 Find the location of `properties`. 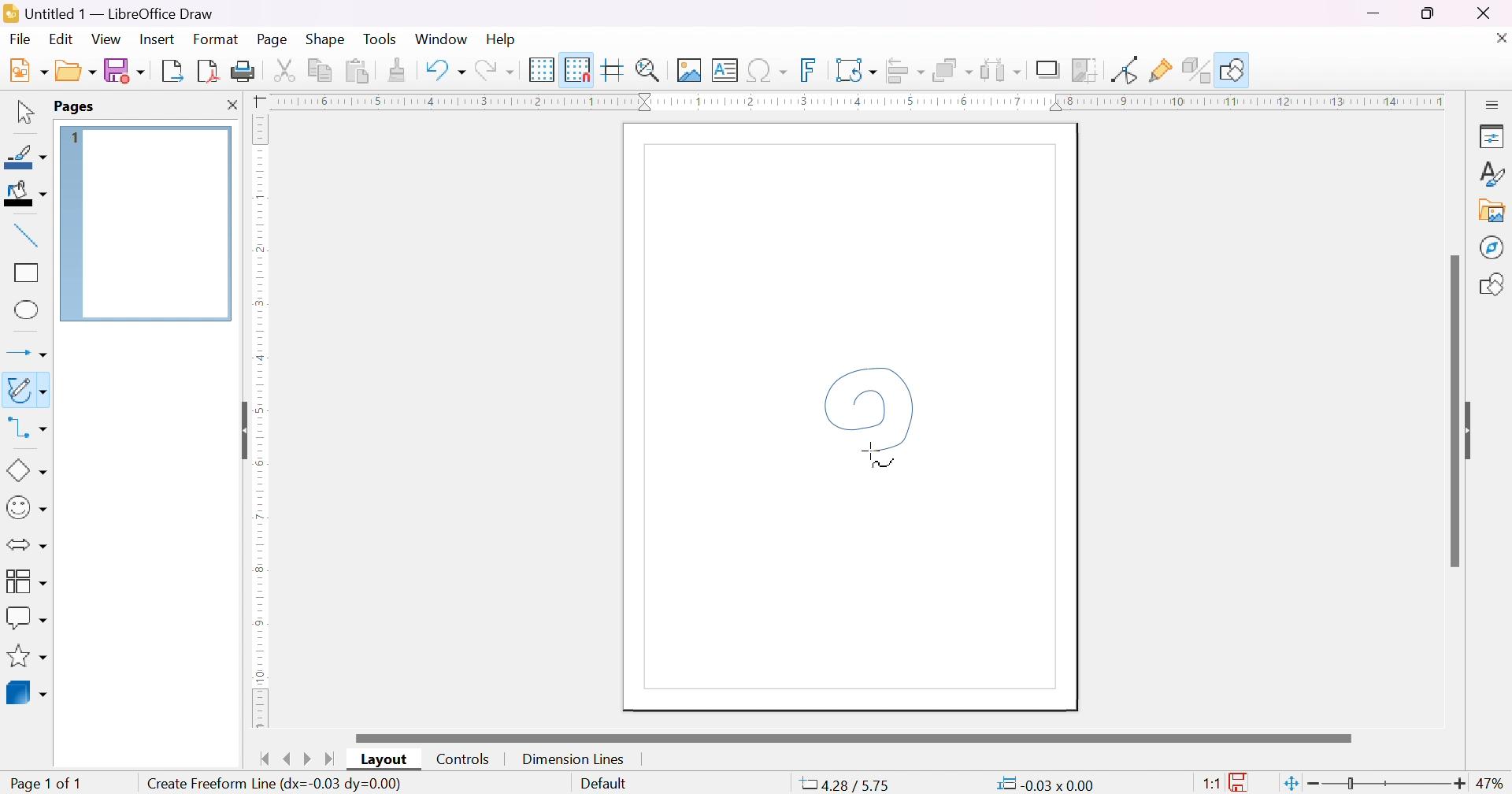

properties is located at coordinates (1492, 135).